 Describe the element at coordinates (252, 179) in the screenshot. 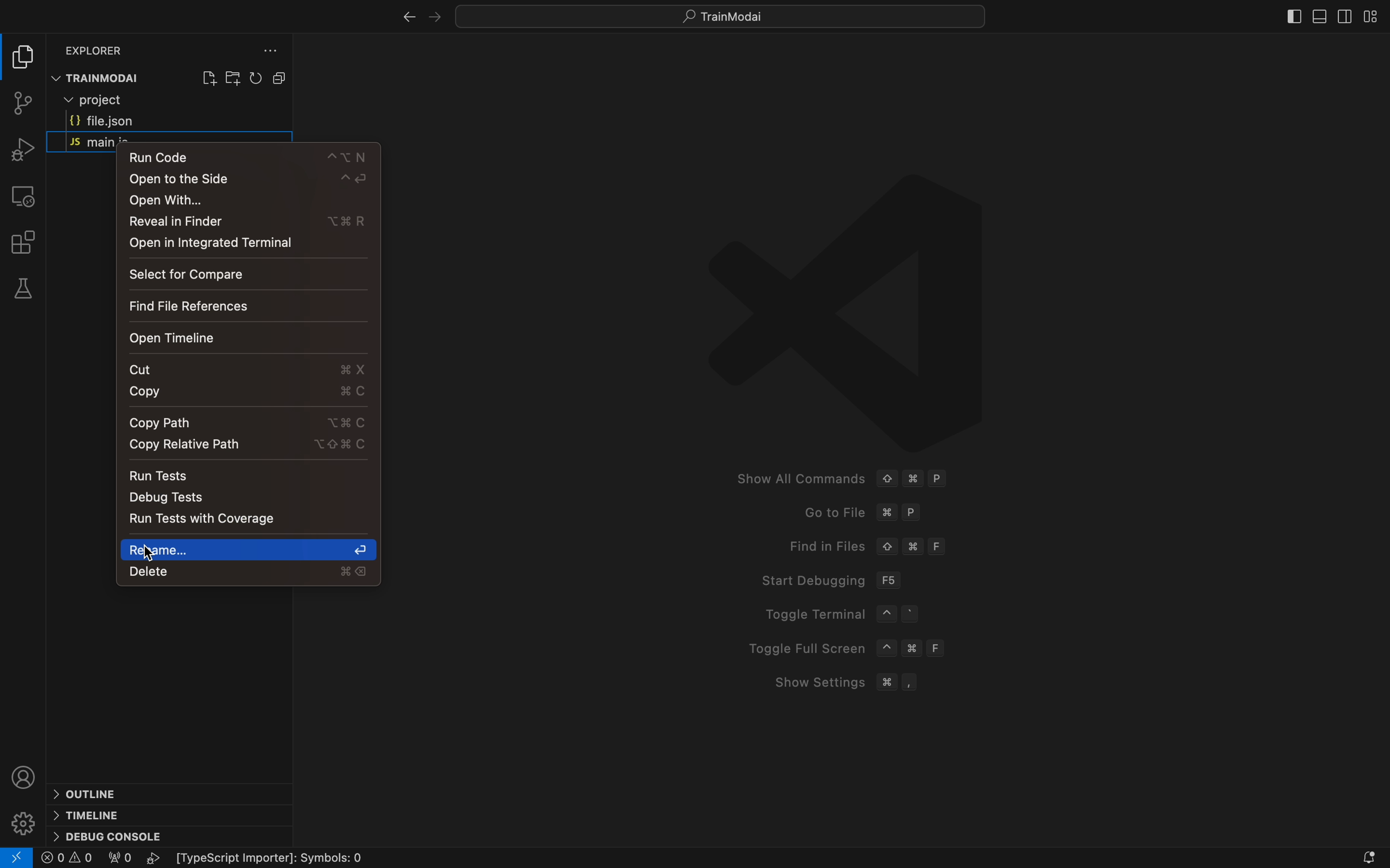

I see `open to the side` at that location.